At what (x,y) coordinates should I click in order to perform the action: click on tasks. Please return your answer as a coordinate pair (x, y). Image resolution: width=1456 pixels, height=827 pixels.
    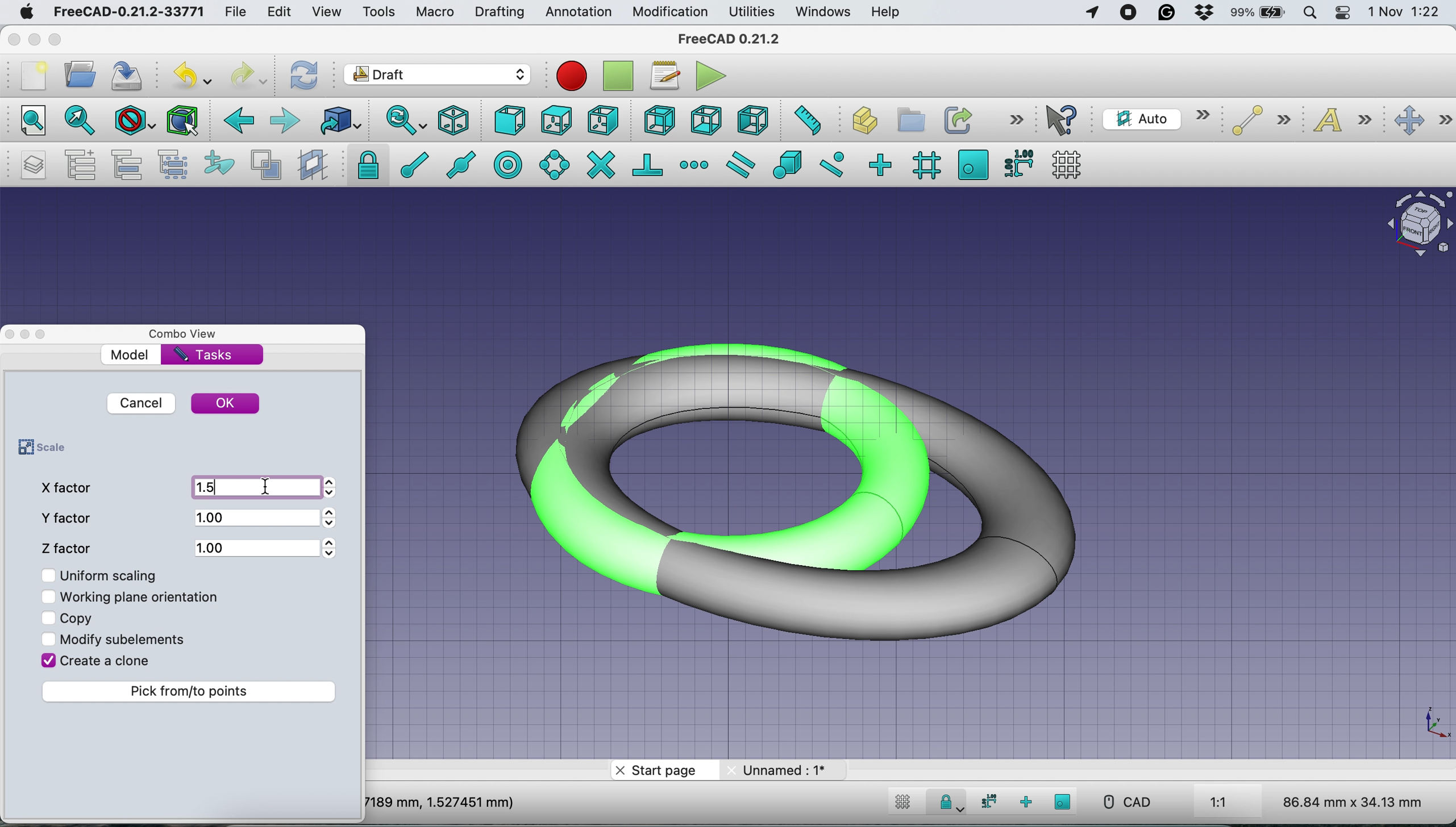
    Looking at the image, I should click on (206, 356).